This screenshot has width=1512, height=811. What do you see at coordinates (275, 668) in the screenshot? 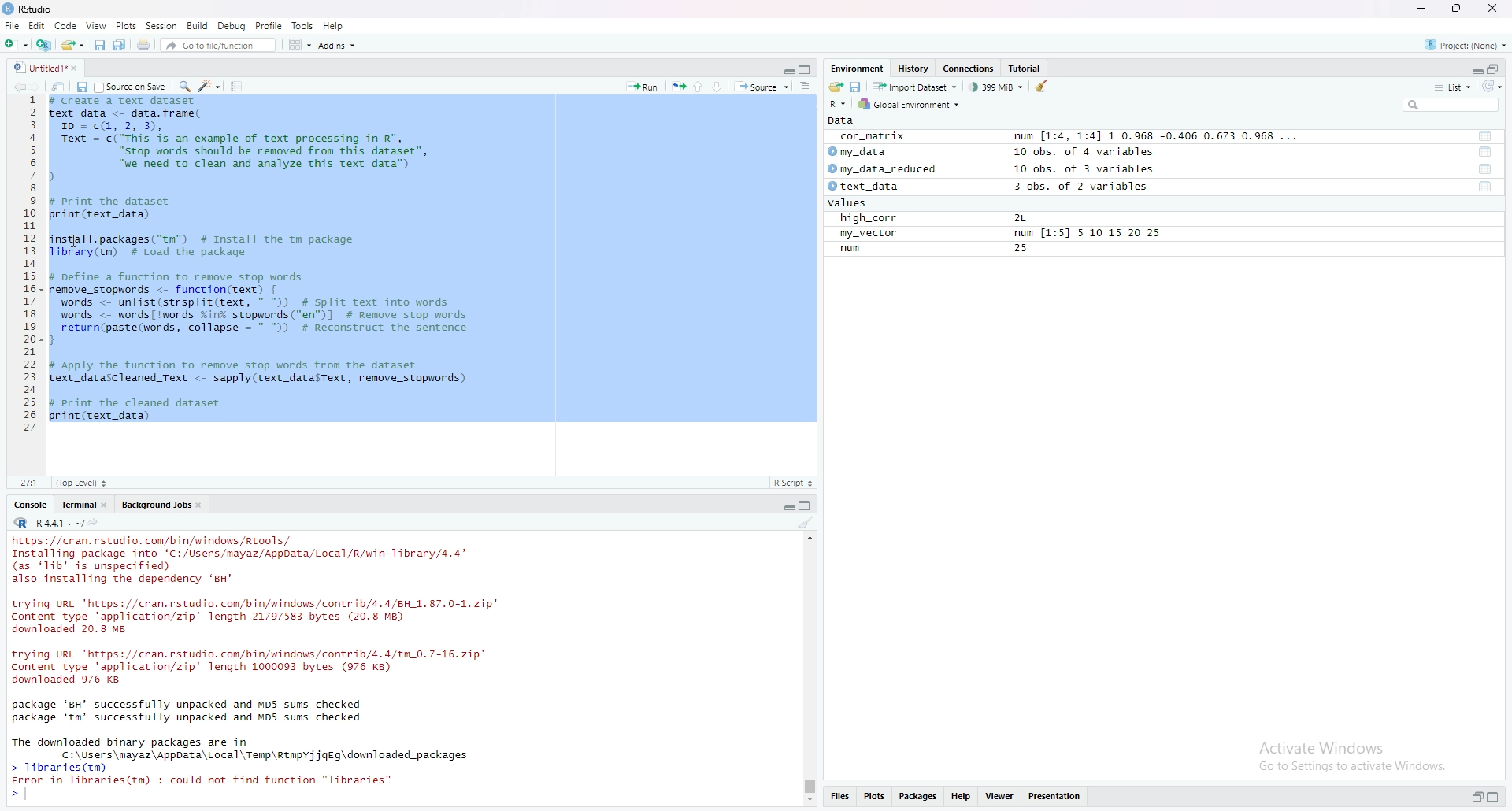
I see `console log` at bounding box center [275, 668].